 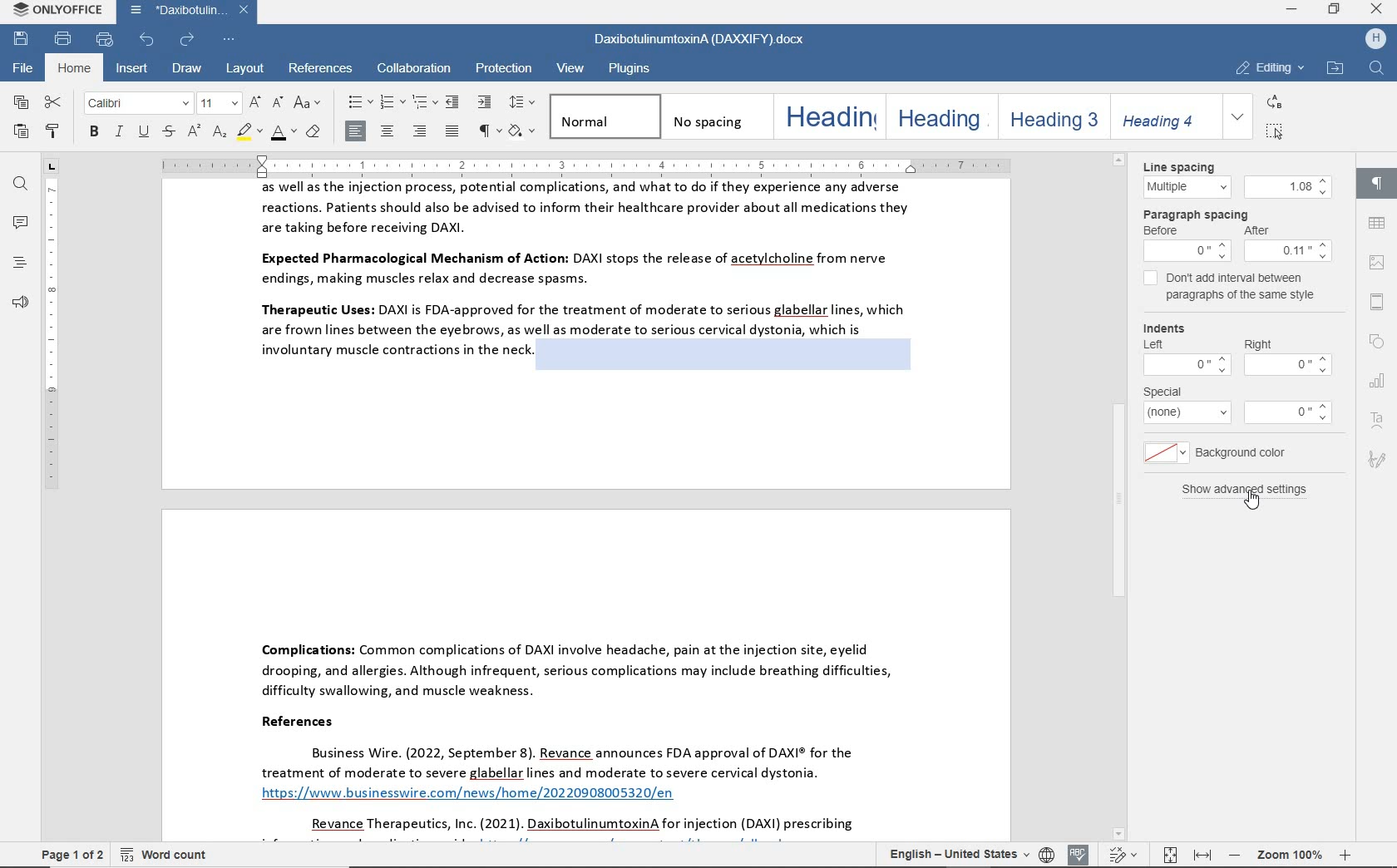 I want to click on layout, so click(x=244, y=69).